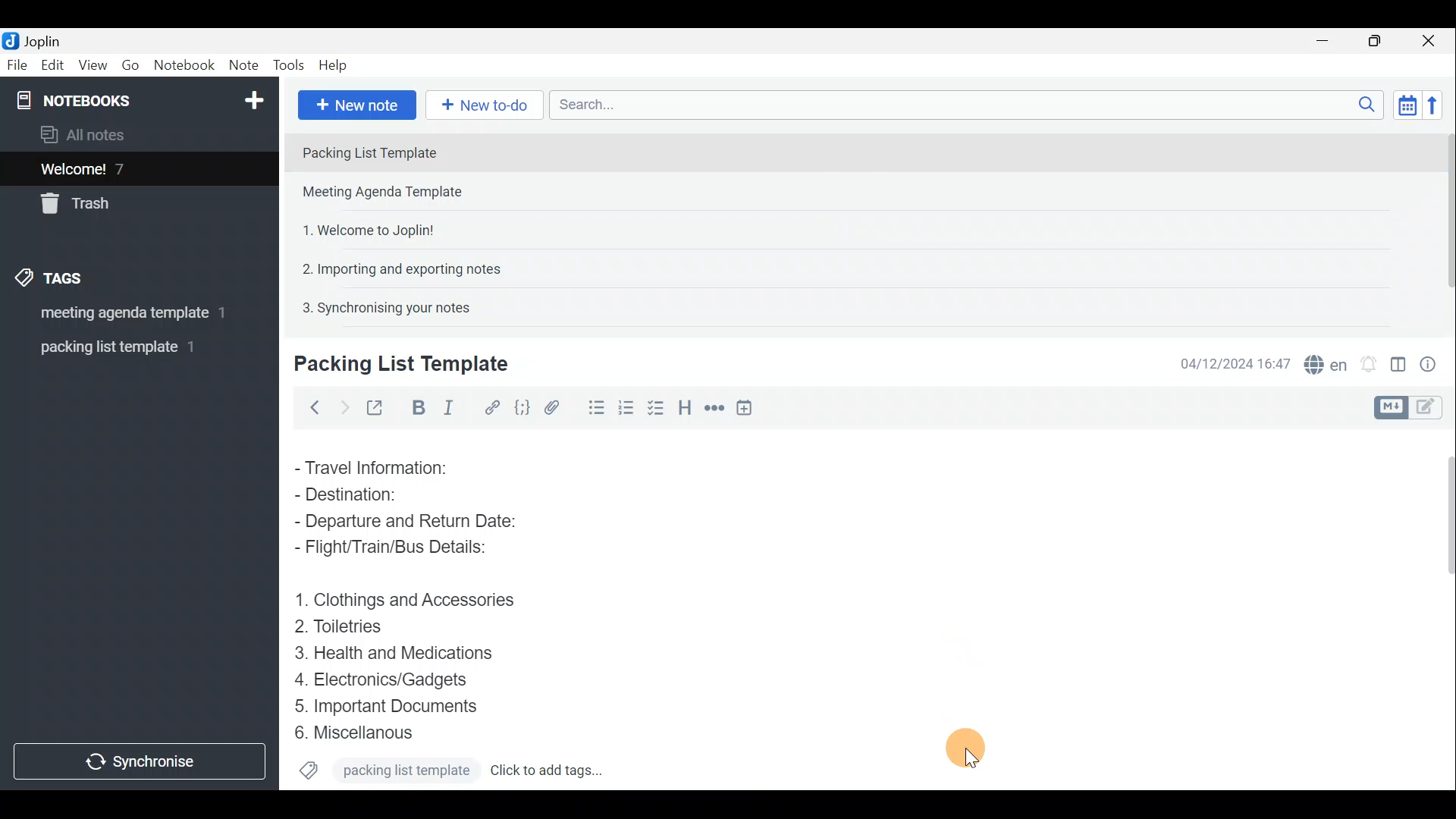 Image resolution: width=1456 pixels, height=819 pixels. Describe the element at coordinates (416, 406) in the screenshot. I see `Bold` at that location.